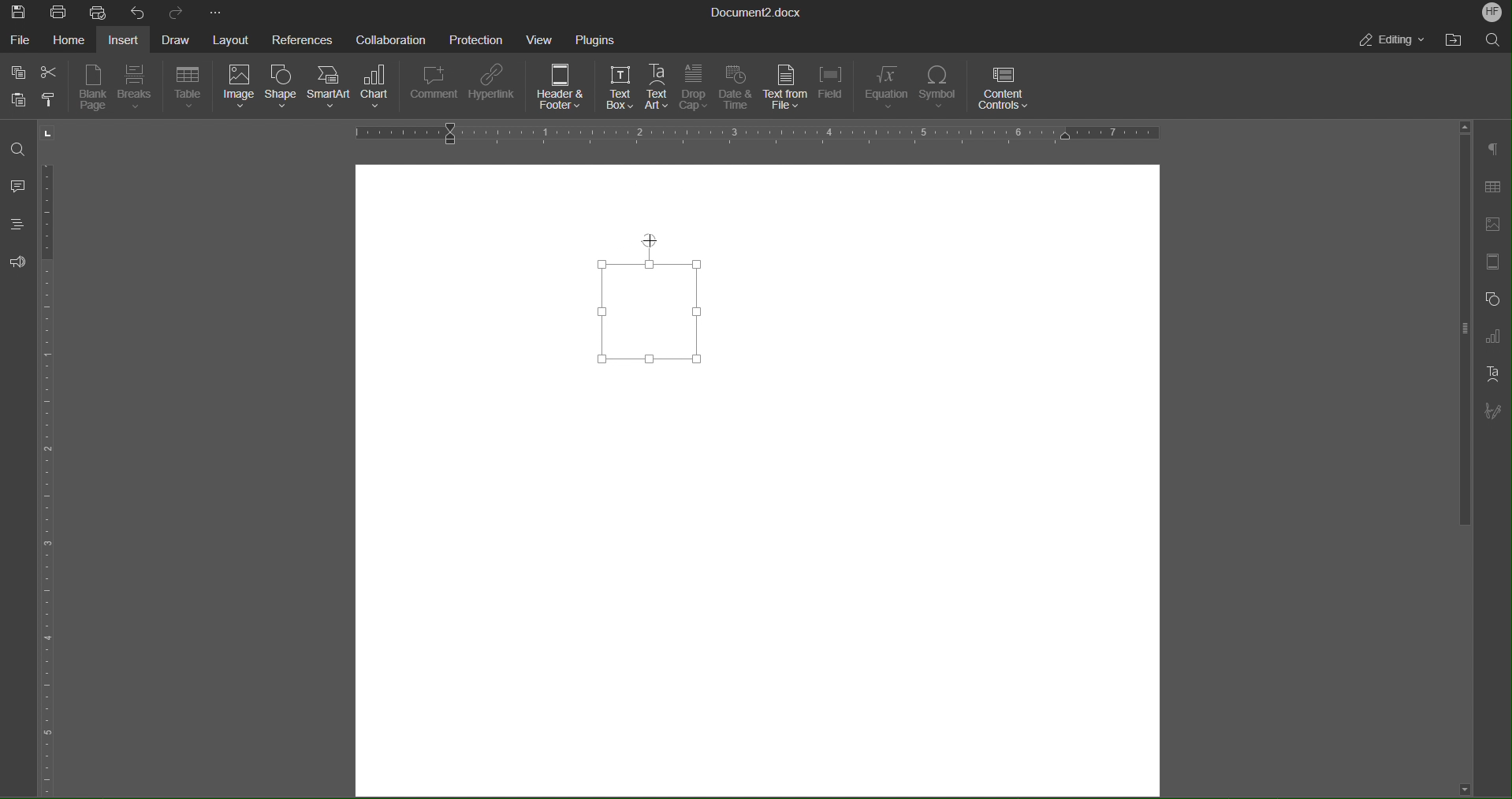 The width and height of the screenshot is (1512, 799). What do you see at coordinates (833, 88) in the screenshot?
I see `Field` at bounding box center [833, 88].